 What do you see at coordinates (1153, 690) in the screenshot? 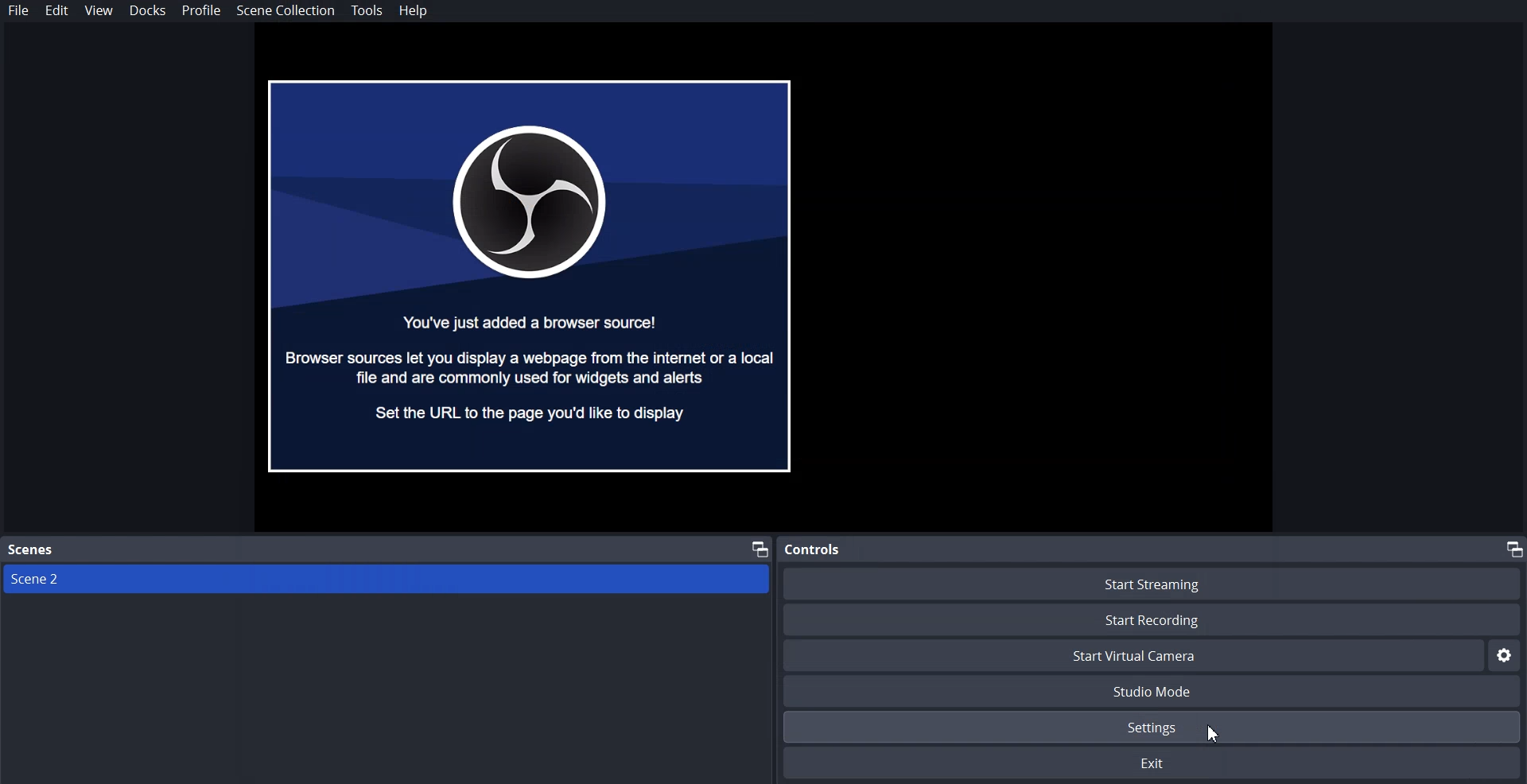
I see `Studio Mode` at bounding box center [1153, 690].